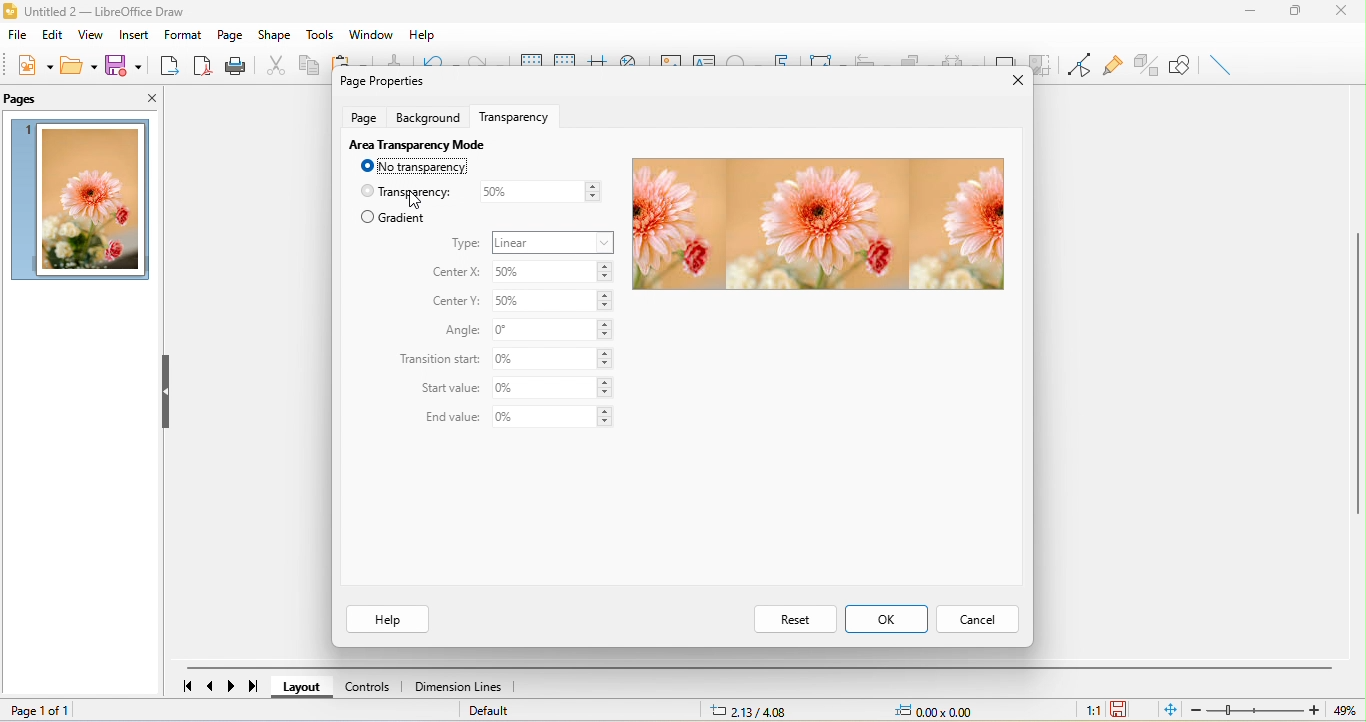 Image resolution: width=1366 pixels, height=722 pixels. What do you see at coordinates (380, 80) in the screenshot?
I see `page properties` at bounding box center [380, 80].